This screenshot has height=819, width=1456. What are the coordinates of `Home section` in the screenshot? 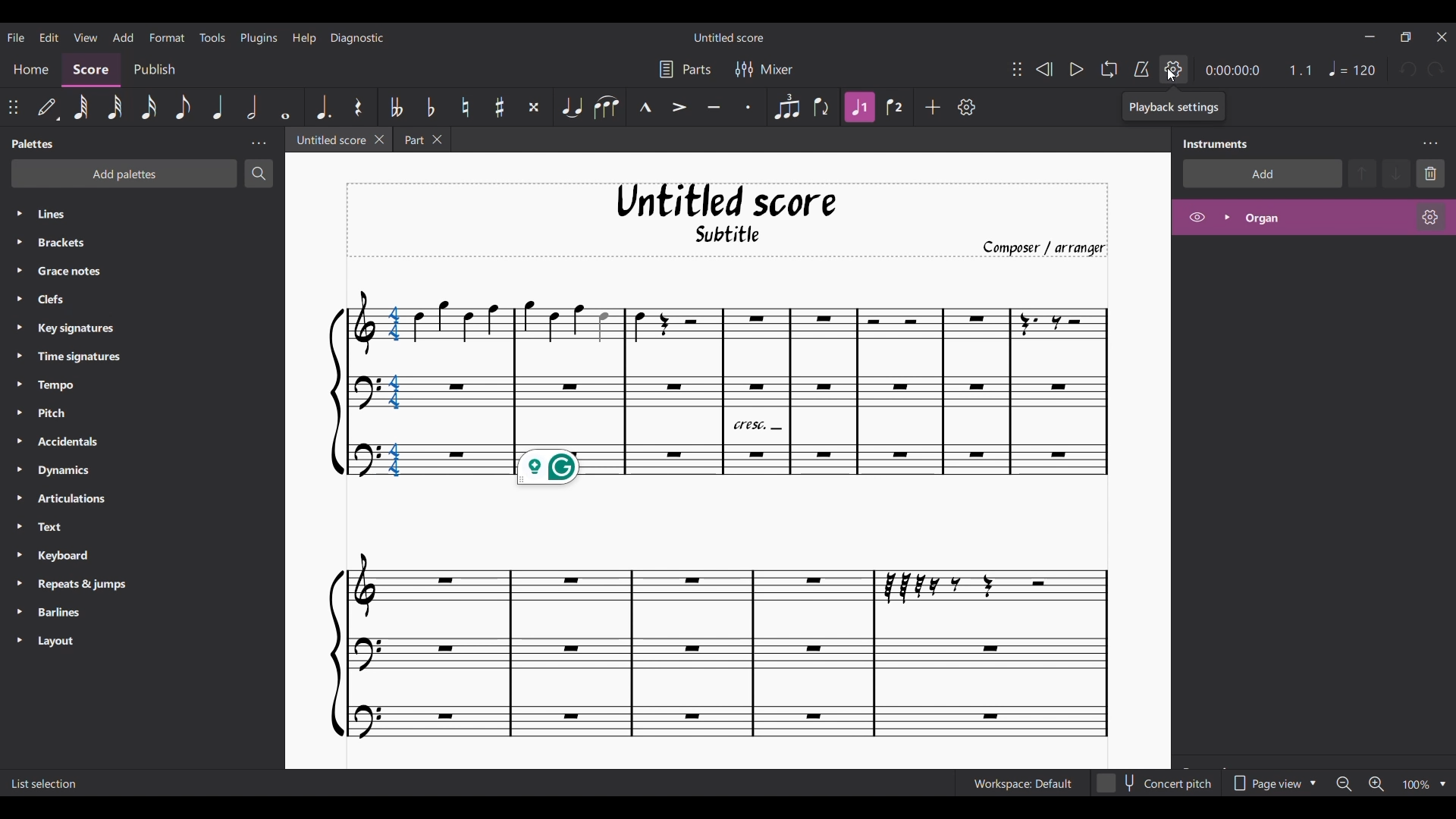 It's located at (30, 70).